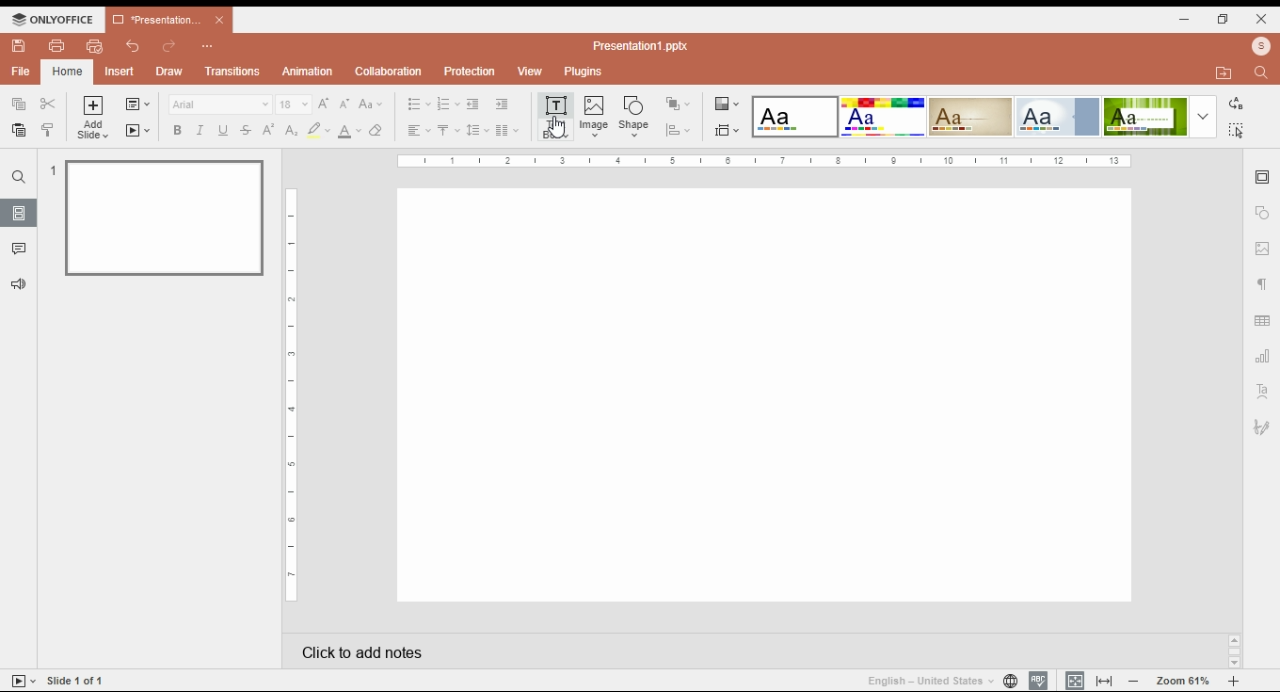  Describe the element at coordinates (1263, 359) in the screenshot. I see `chart settings` at that location.